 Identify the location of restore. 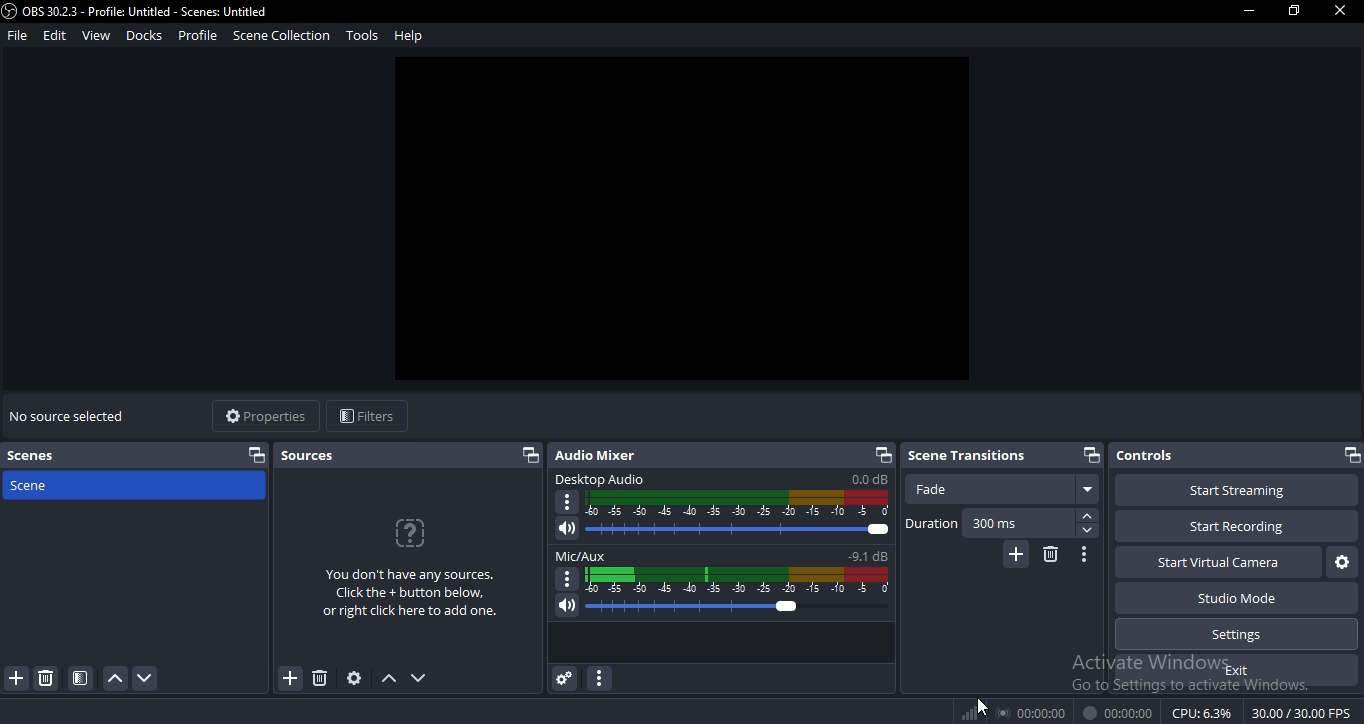
(884, 455).